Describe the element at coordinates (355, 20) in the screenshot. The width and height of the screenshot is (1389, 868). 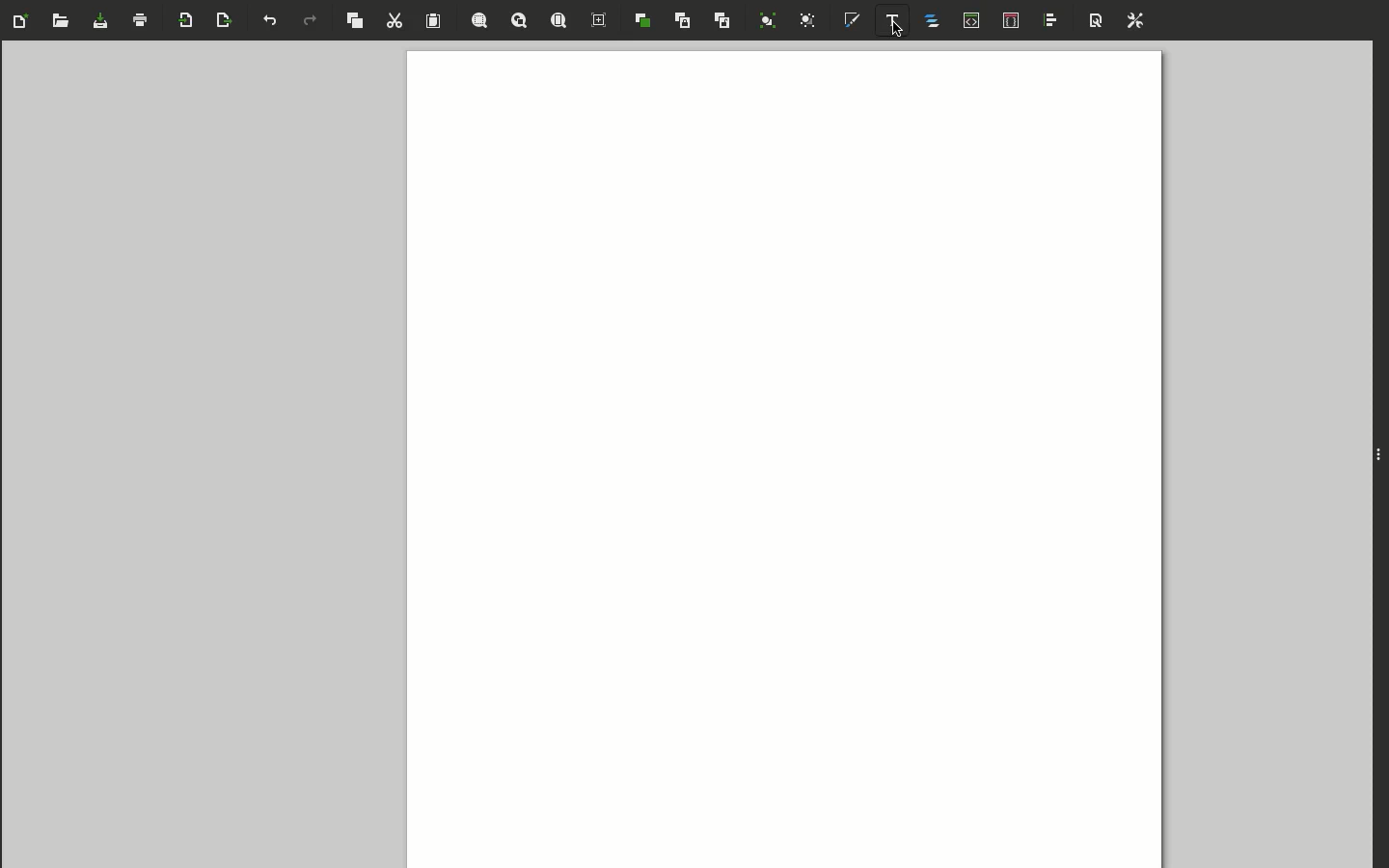
I see `Copy` at that location.